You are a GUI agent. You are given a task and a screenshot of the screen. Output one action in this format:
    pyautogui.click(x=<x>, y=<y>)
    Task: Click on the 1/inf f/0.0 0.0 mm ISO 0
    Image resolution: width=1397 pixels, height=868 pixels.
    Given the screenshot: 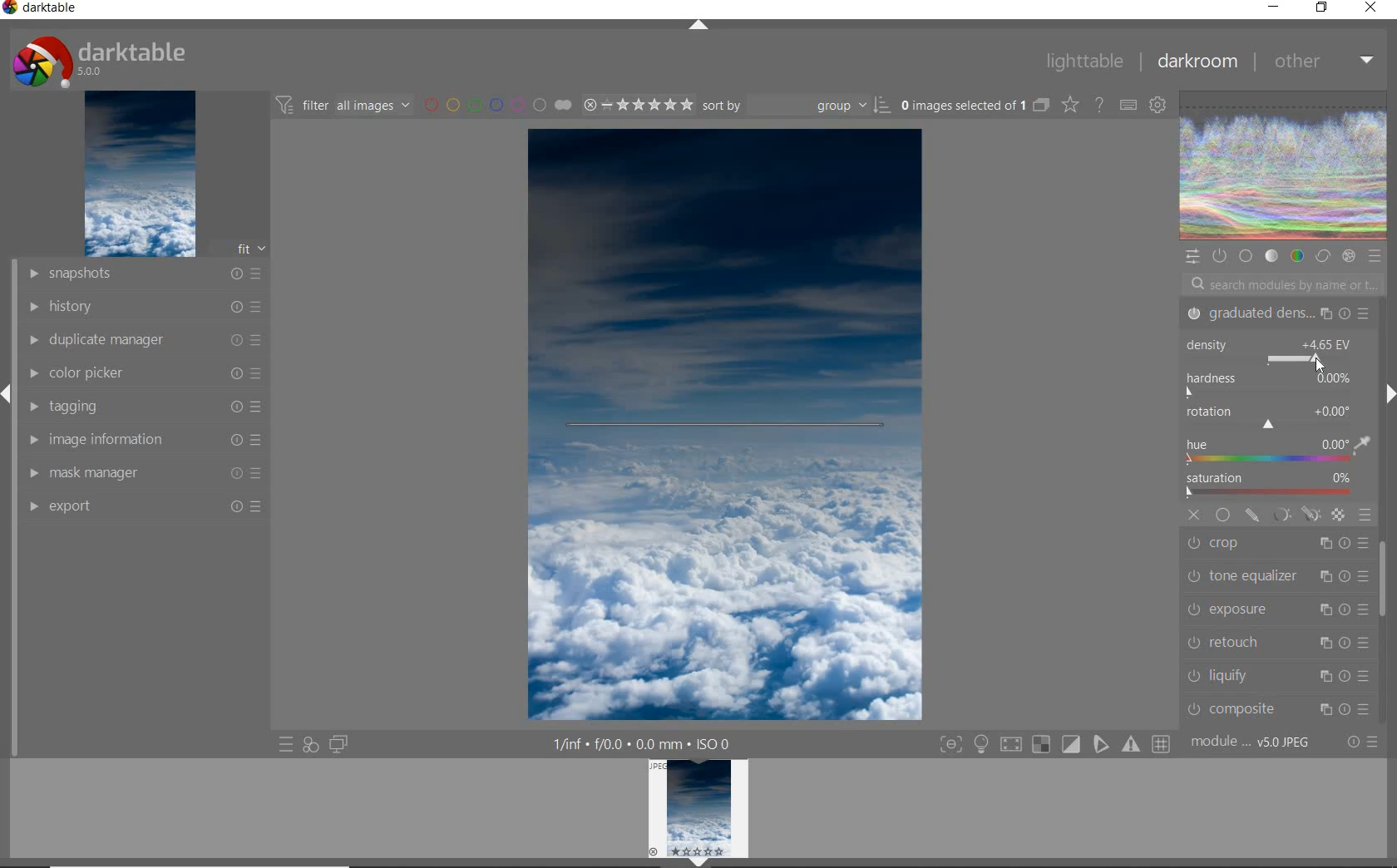 What is the action you would take?
    pyautogui.click(x=645, y=742)
    